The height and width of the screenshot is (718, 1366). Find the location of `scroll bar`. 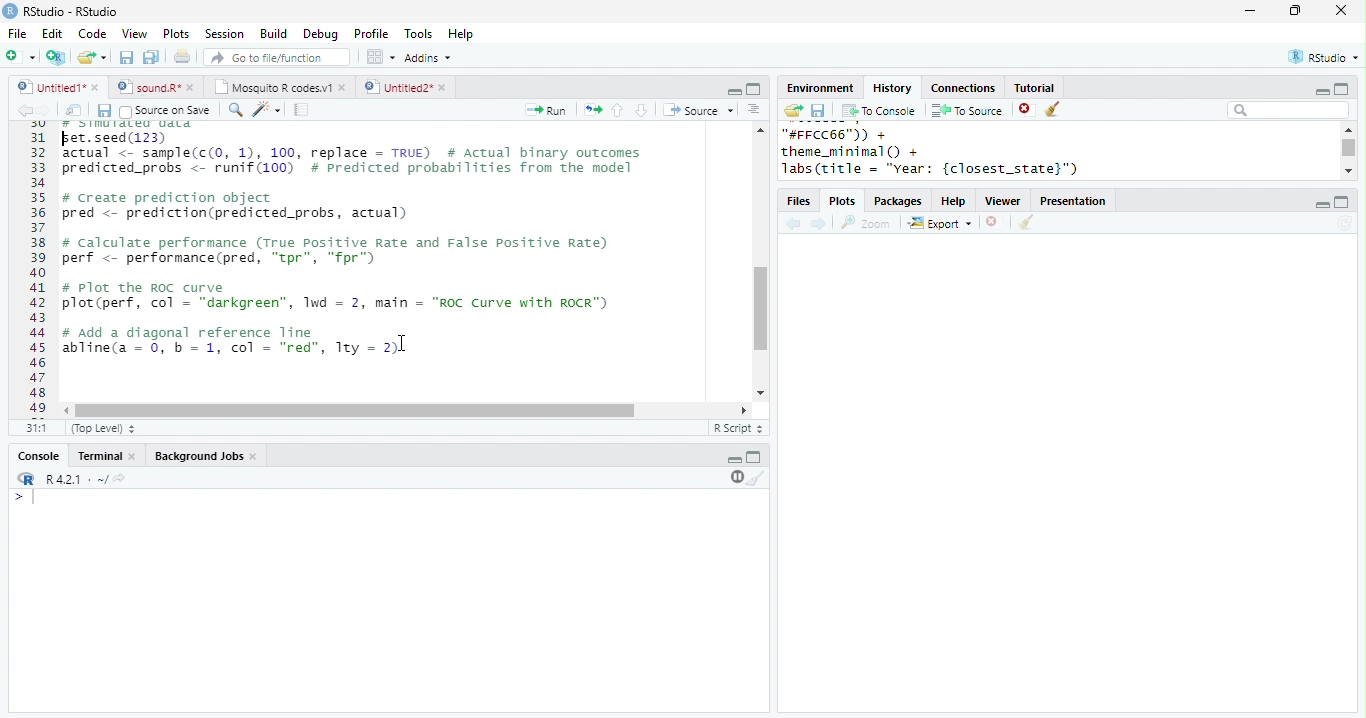

scroll bar is located at coordinates (355, 411).